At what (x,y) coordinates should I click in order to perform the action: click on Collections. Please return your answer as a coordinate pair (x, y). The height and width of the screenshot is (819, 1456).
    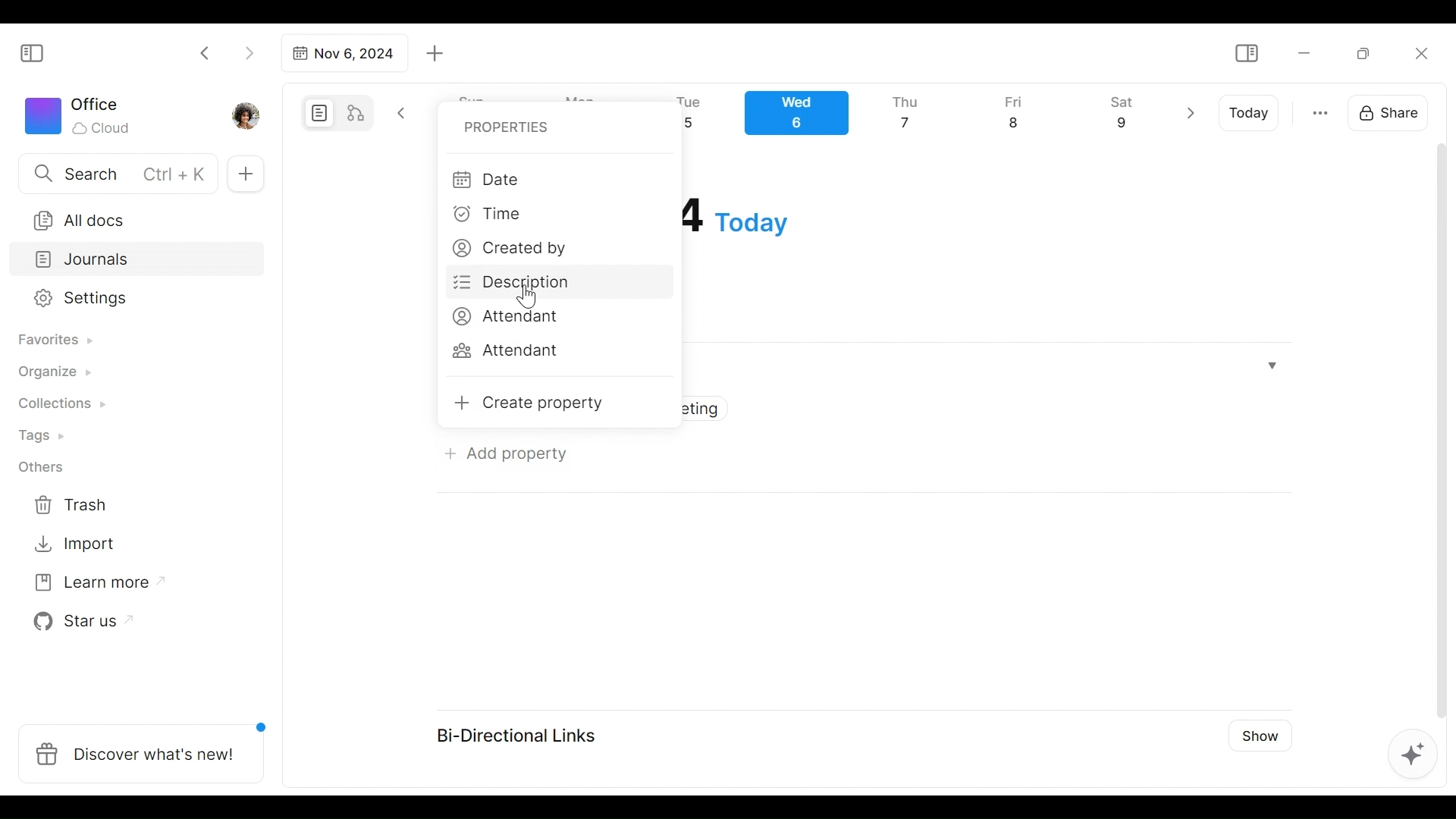
    Looking at the image, I should click on (60, 406).